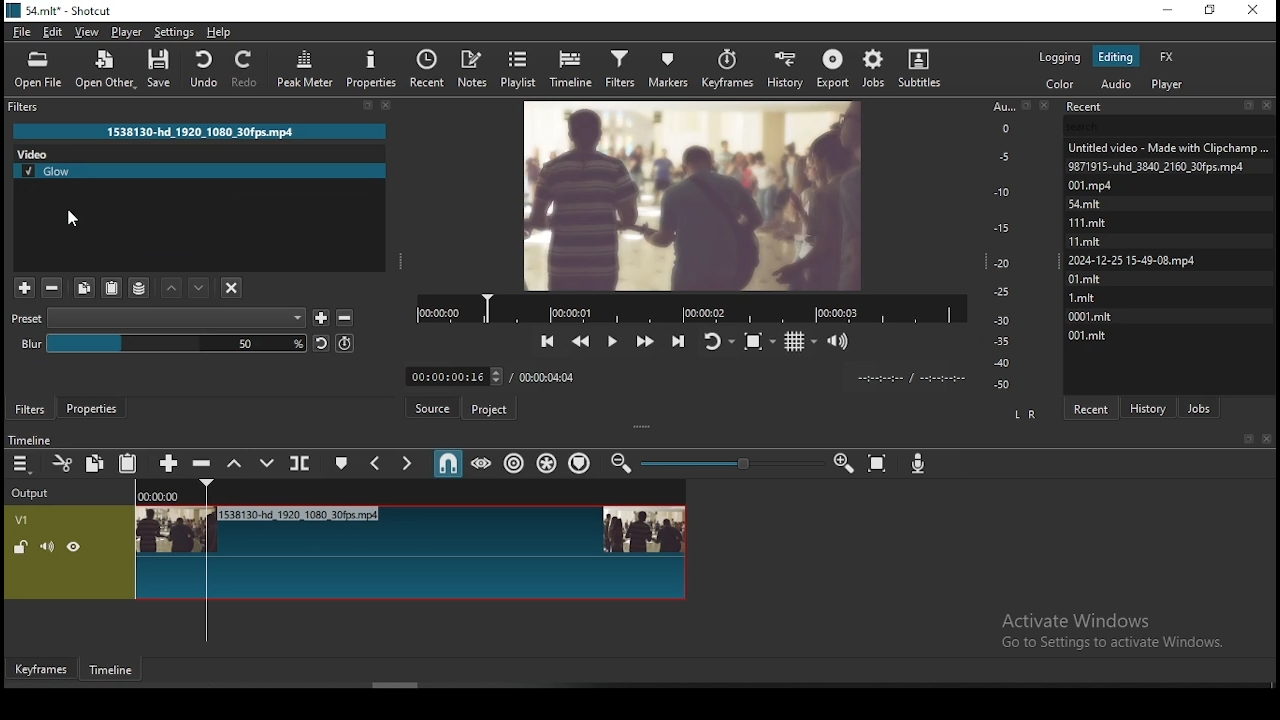 This screenshot has width=1280, height=720. Describe the element at coordinates (1167, 146) in the screenshot. I see `Untitled video - Made with Clipchamp .` at that location.